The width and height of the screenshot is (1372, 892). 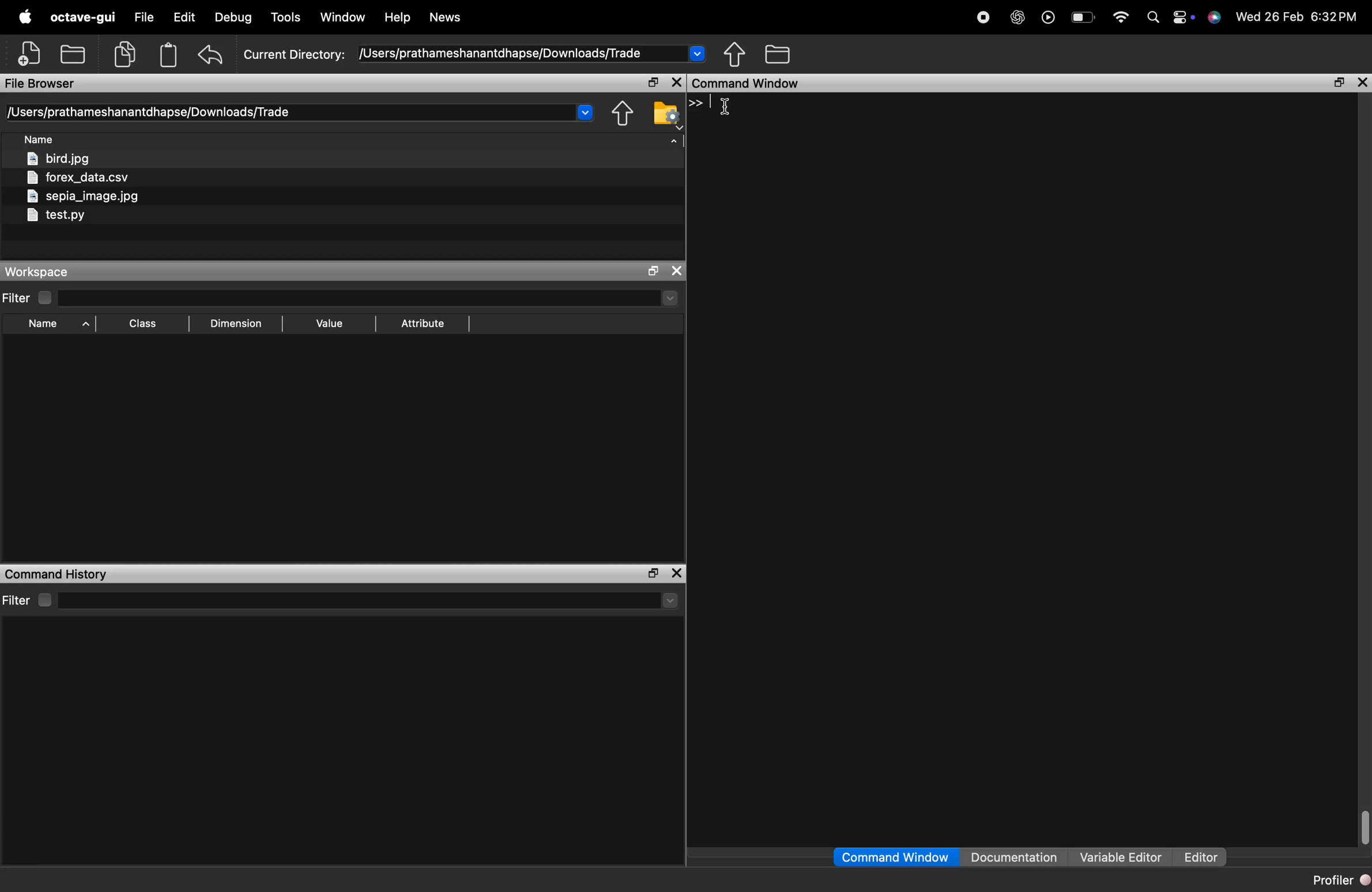 I want to click on close, so click(x=1362, y=82).